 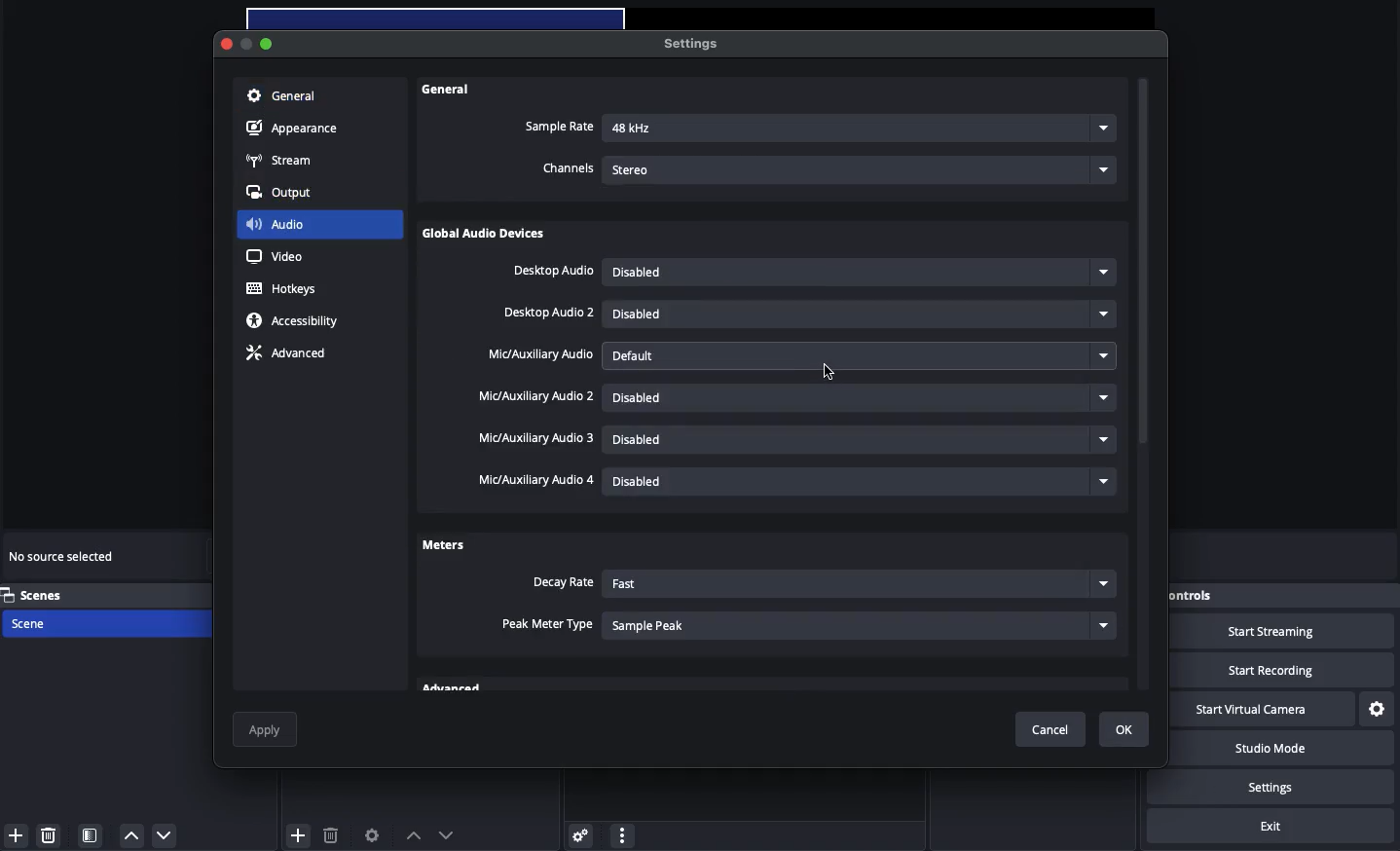 What do you see at coordinates (863, 167) in the screenshot?
I see `Stereo` at bounding box center [863, 167].